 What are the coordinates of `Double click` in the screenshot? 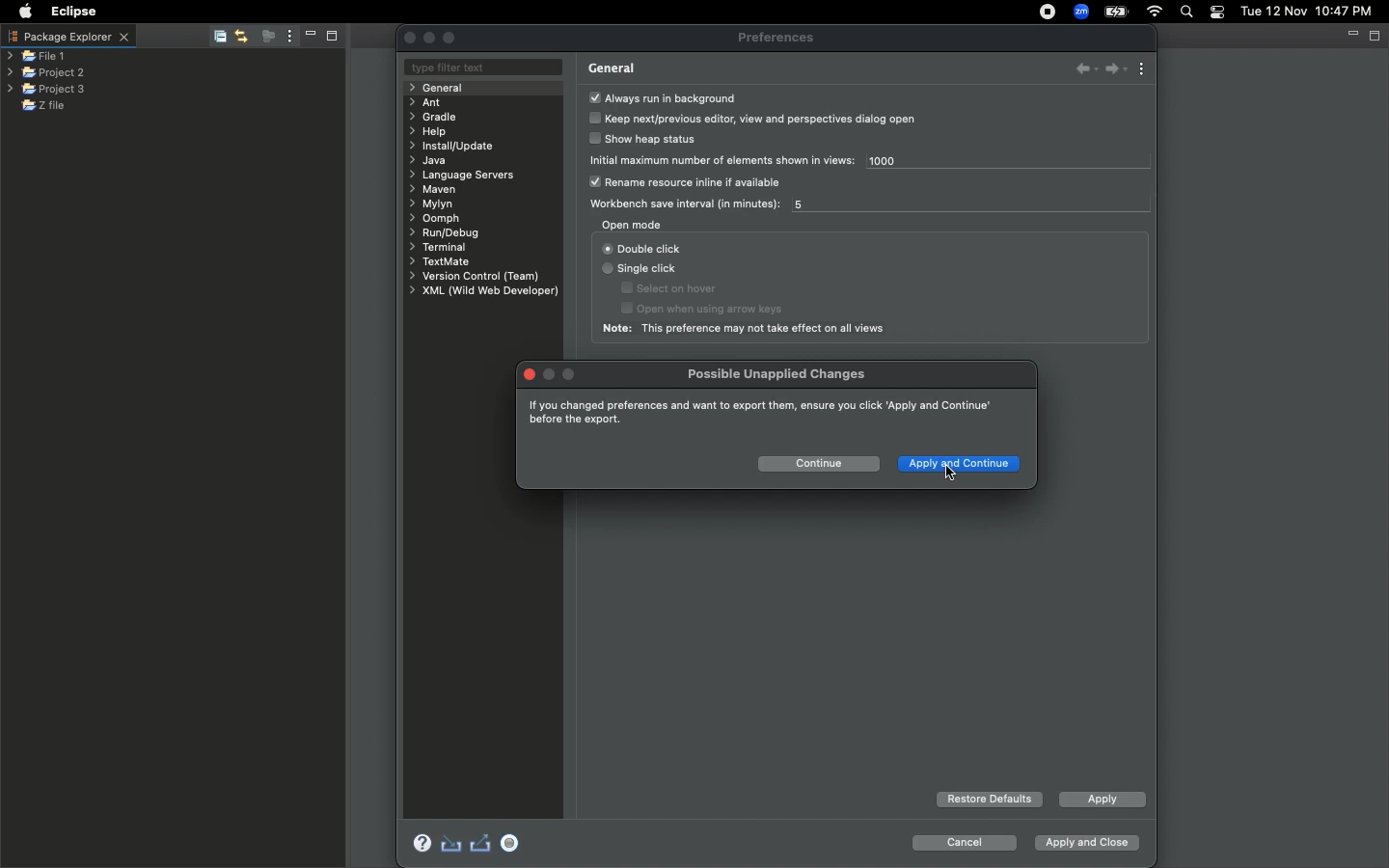 It's located at (642, 248).